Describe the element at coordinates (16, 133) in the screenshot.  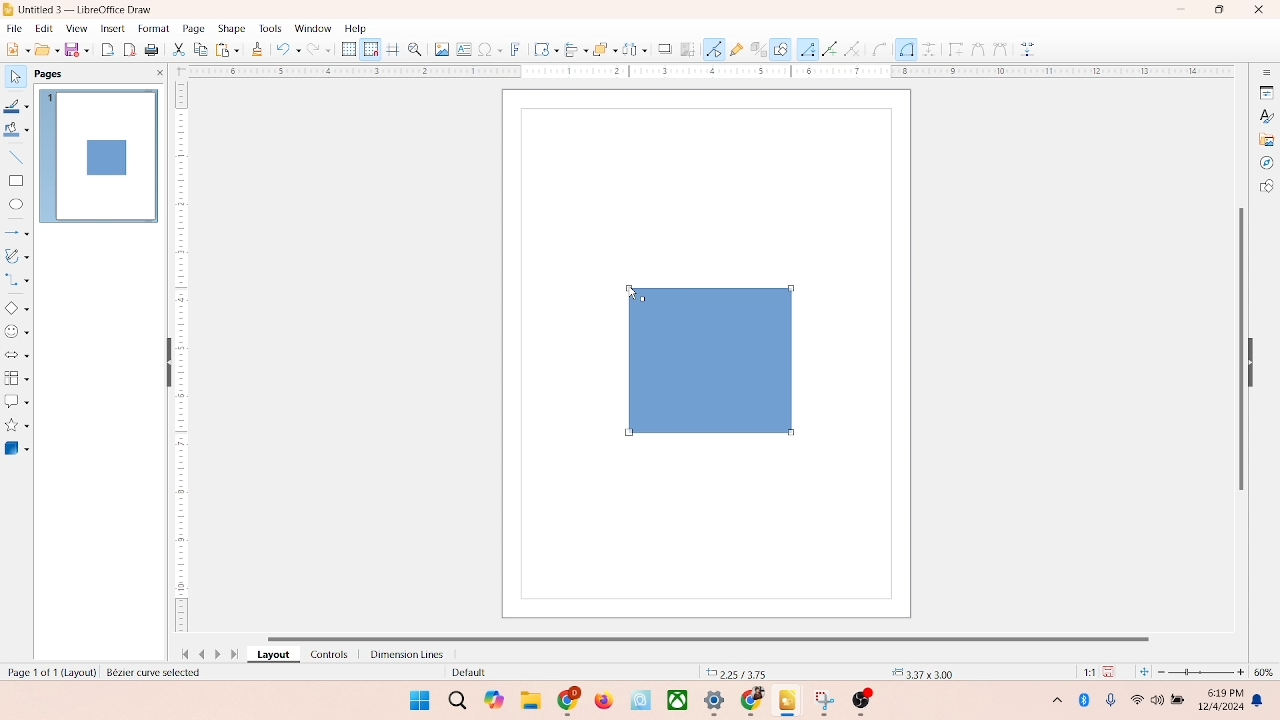
I see `fill color` at that location.